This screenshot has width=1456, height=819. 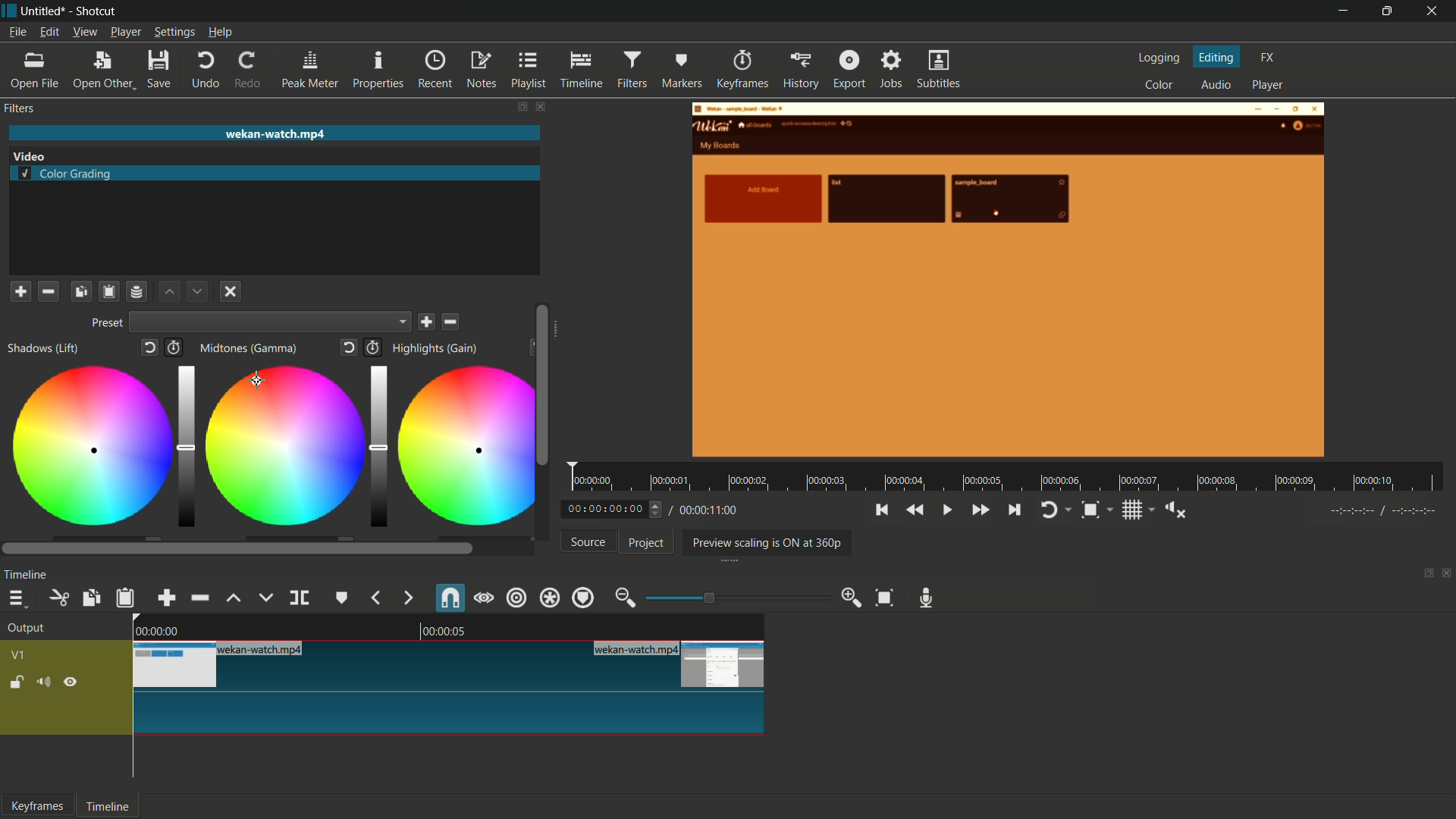 What do you see at coordinates (38, 806) in the screenshot?
I see `keyframes` at bounding box center [38, 806].